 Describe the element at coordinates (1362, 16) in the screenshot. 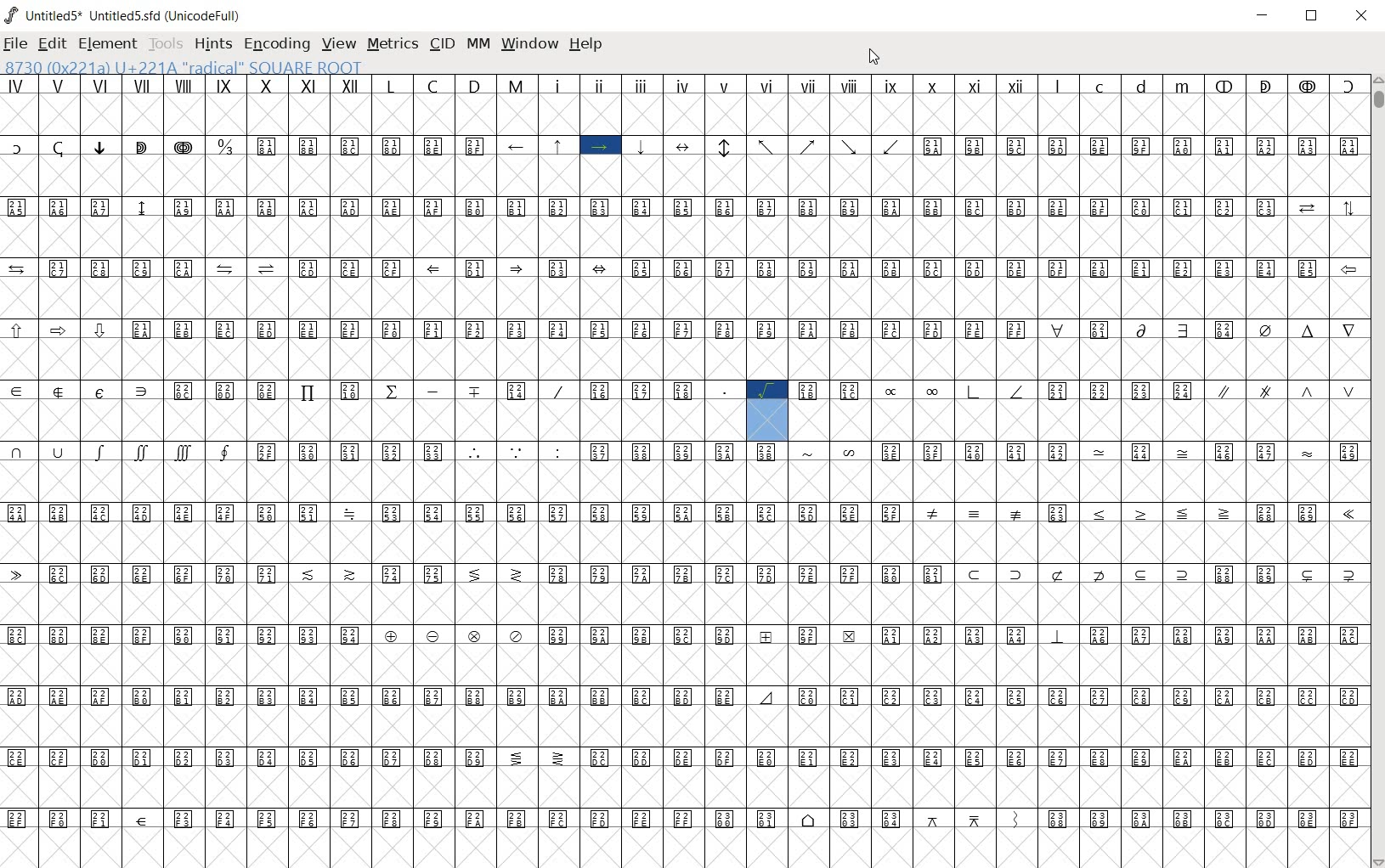

I see `CLOSE` at that location.